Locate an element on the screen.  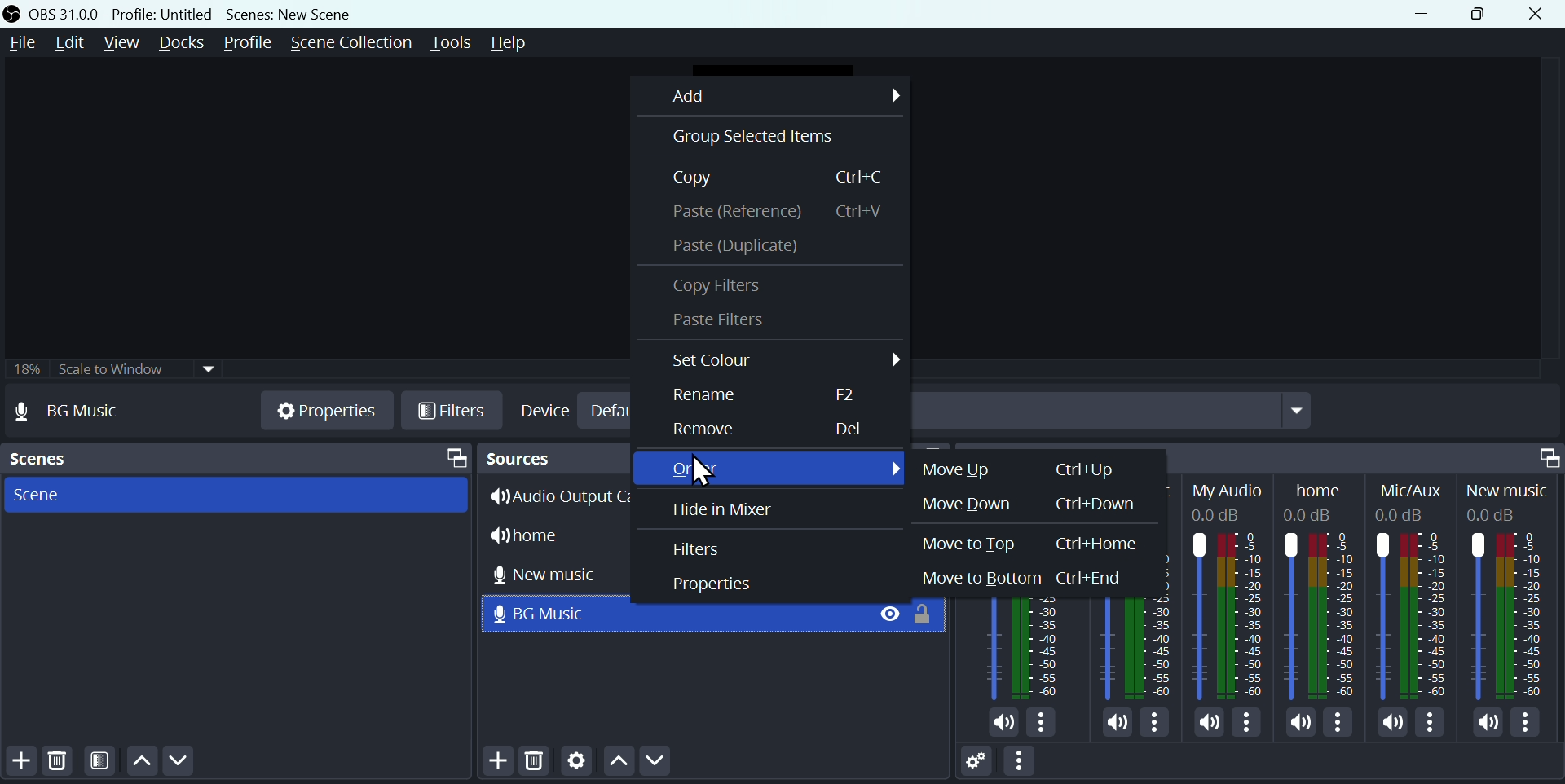
Paste duplicate is located at coordinates (756, 245).